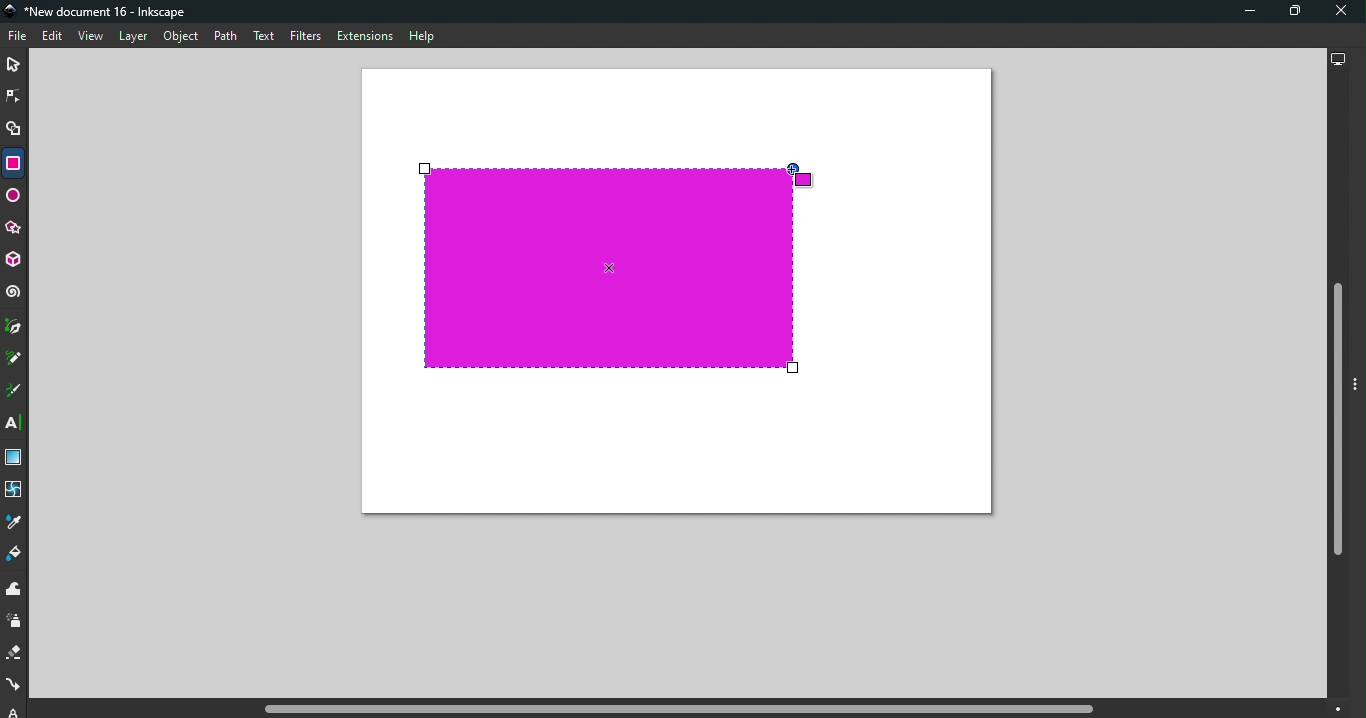  I want to click on View, so click(89, 36).